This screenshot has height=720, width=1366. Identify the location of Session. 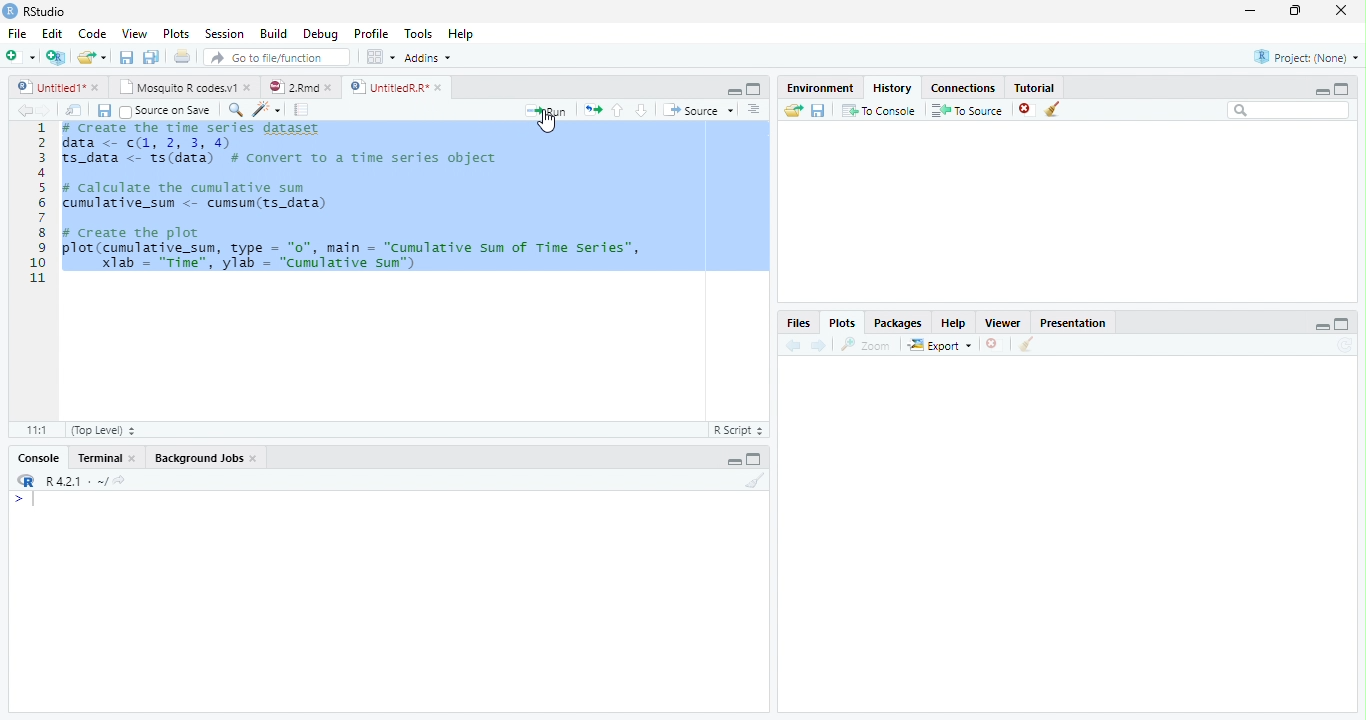
(224, 34).